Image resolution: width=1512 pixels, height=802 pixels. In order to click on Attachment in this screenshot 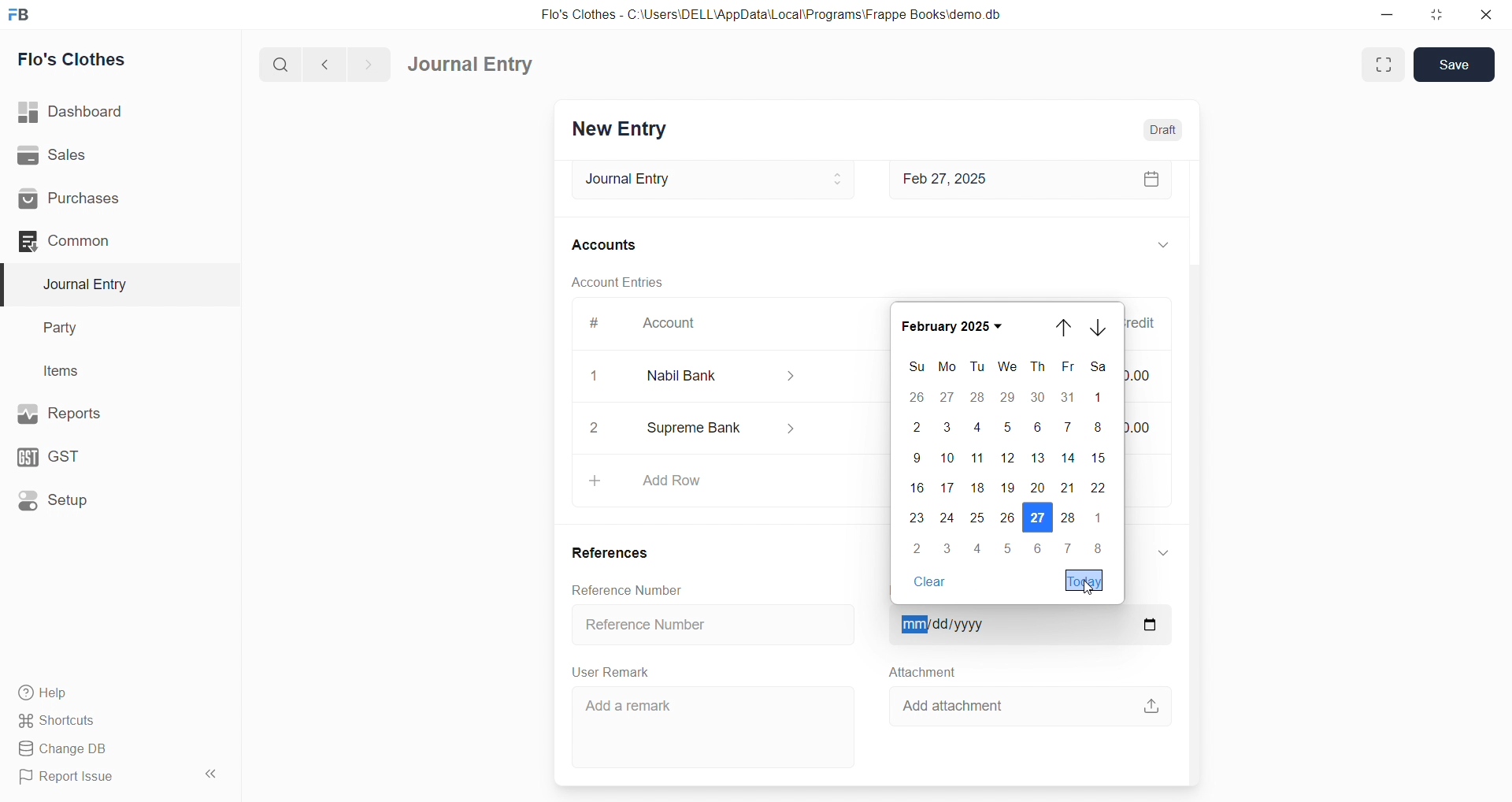, I will do `click(922, 672)`.